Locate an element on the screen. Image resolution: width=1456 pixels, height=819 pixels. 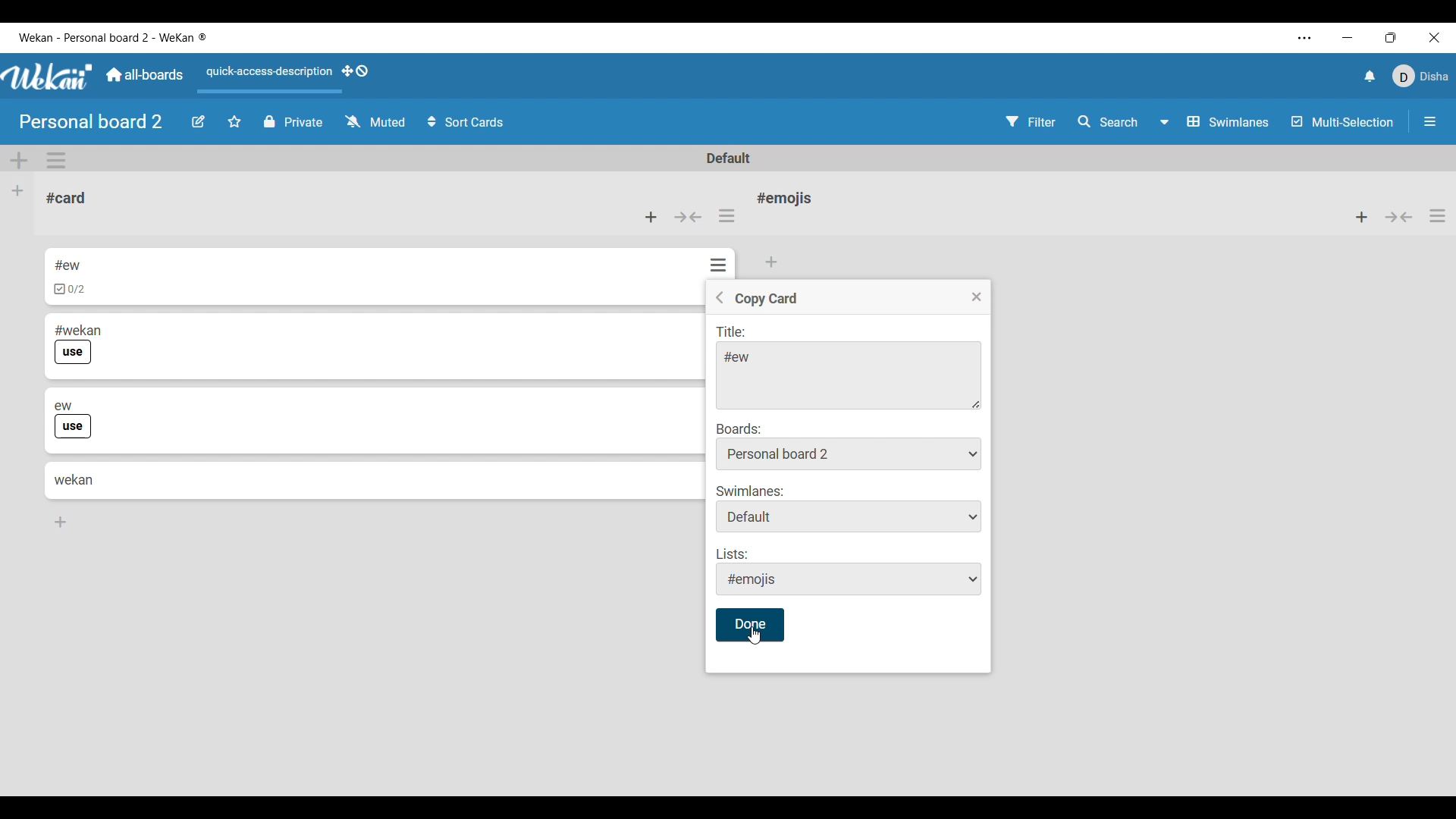
Indicates use of label in card is located at coordinates (74, 353).